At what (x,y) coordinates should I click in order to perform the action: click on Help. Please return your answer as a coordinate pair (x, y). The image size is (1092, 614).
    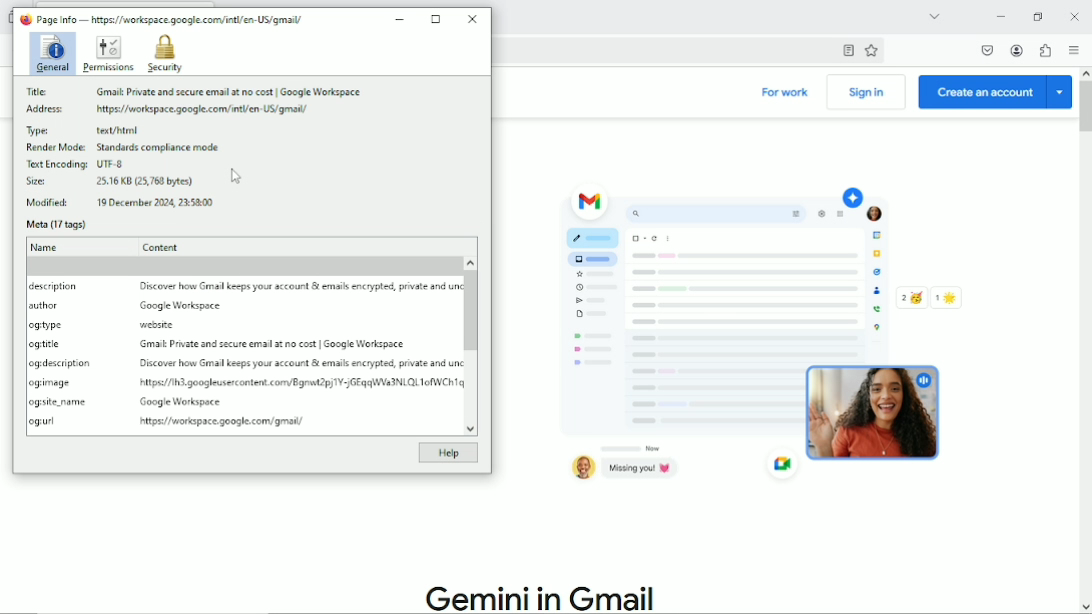
    Looking at the image, I should click on (449, 453).